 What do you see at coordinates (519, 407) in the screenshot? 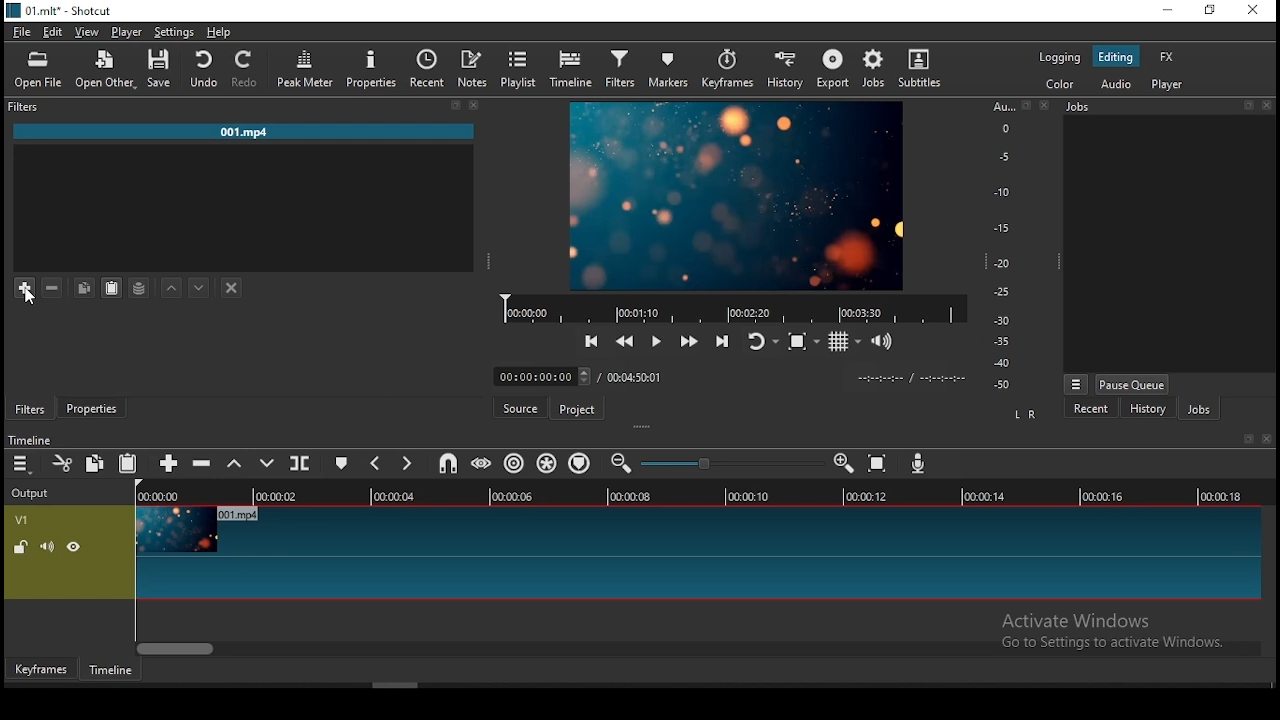
I see `source` at bounding box center [519, 407].